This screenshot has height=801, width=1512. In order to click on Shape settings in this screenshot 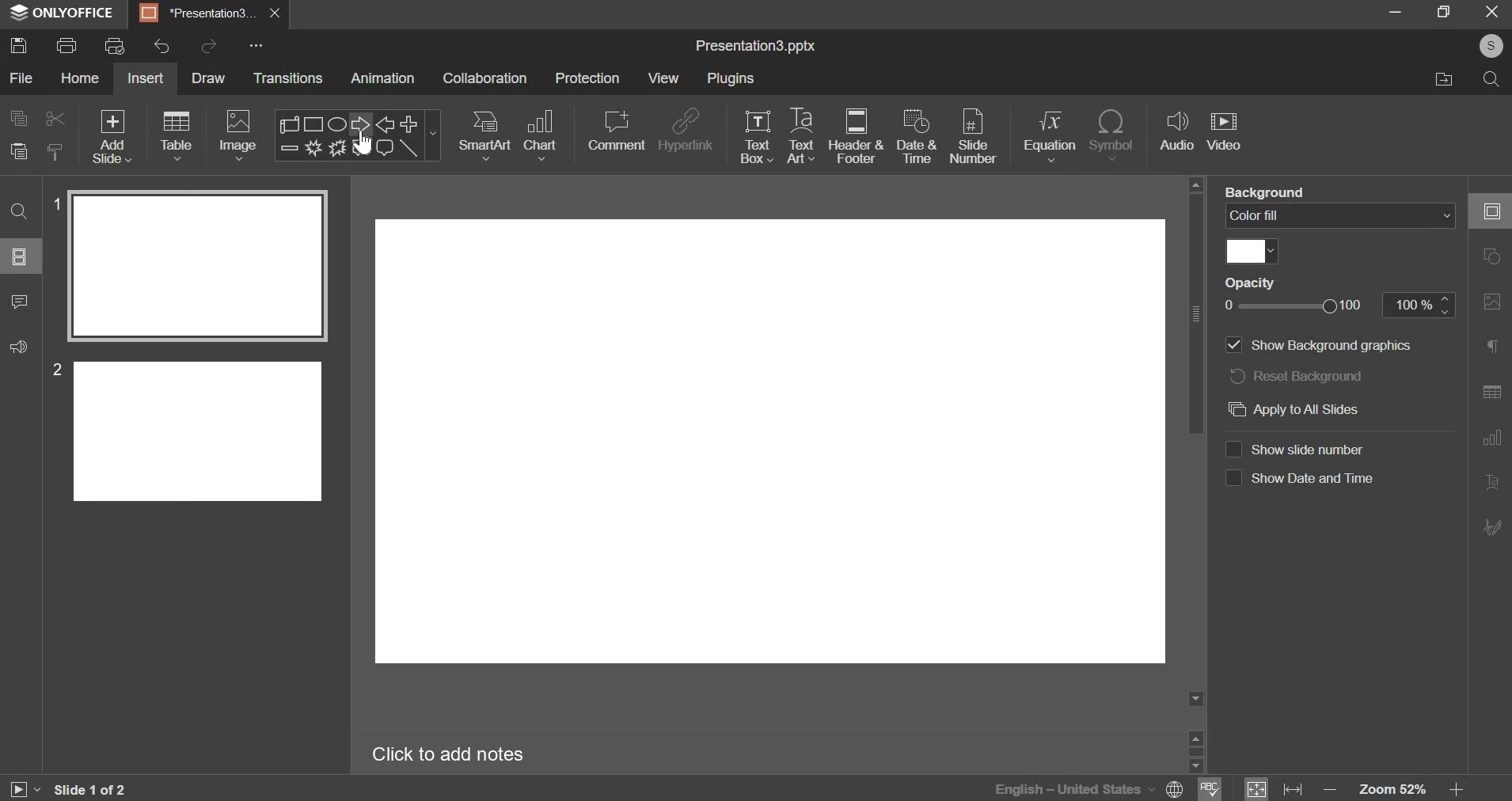, I will do `click(1491, 256)`.